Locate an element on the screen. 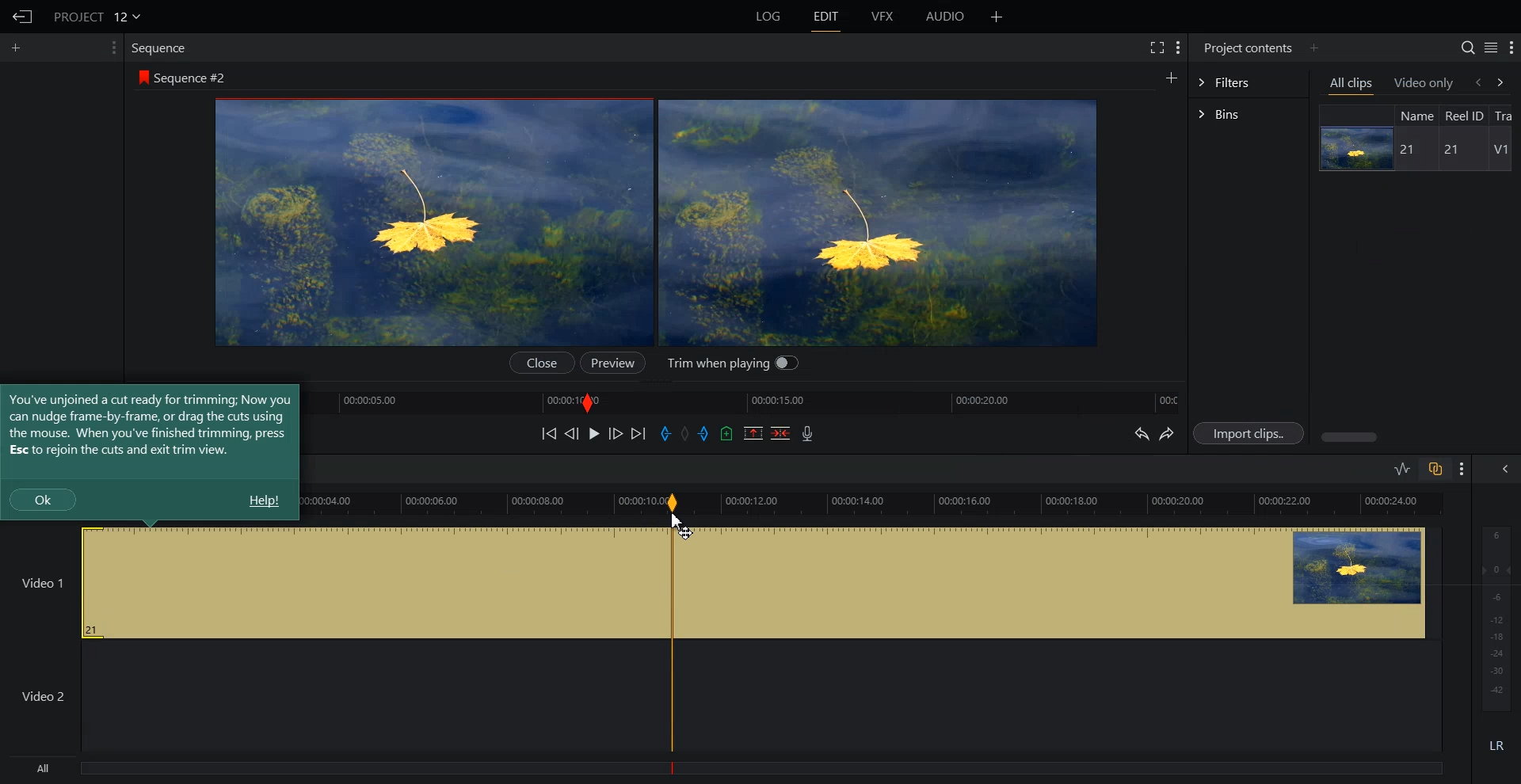  Add Panel is located at coordinates (1313, 48).